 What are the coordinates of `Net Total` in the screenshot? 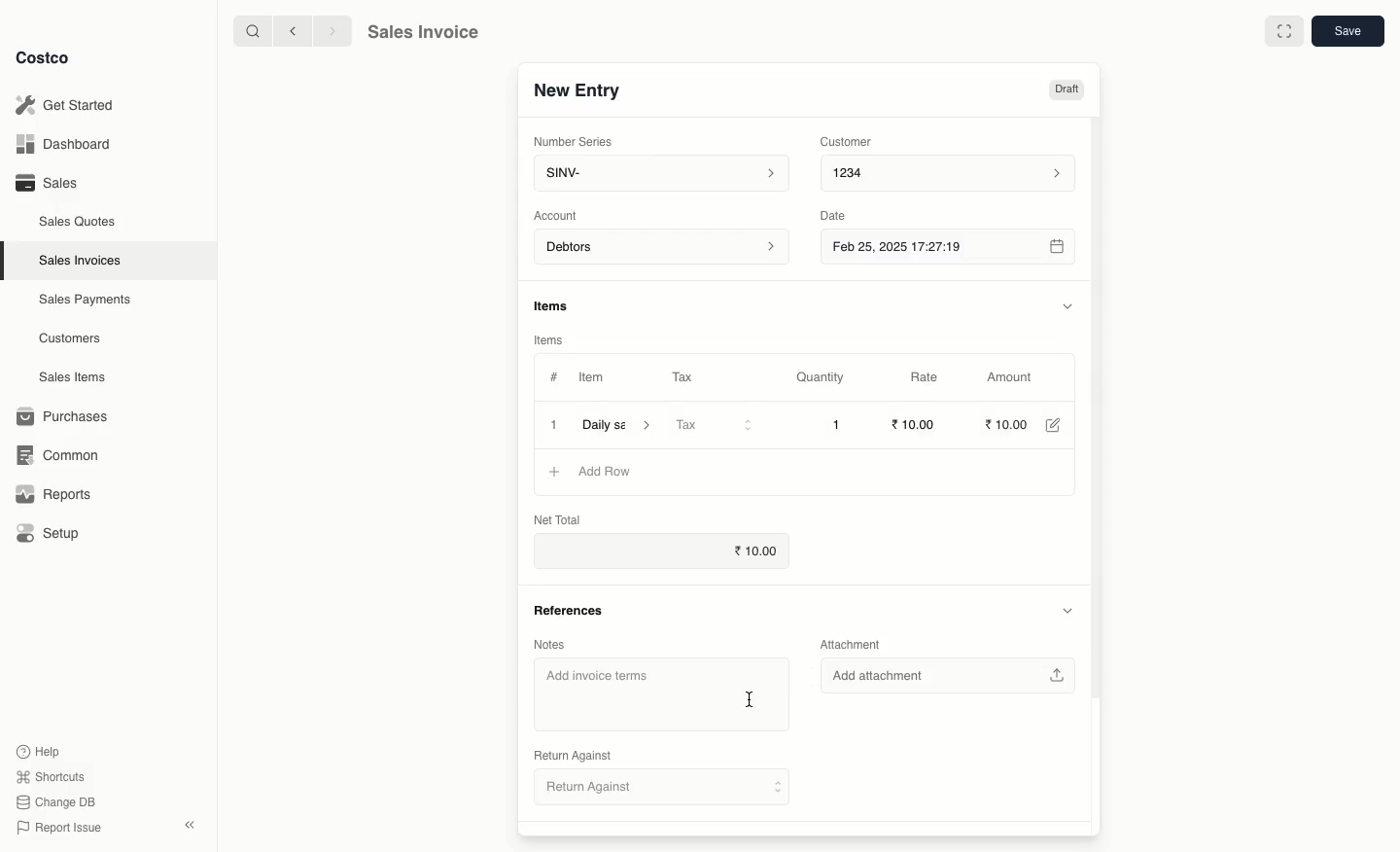 It's located at (553, 519).